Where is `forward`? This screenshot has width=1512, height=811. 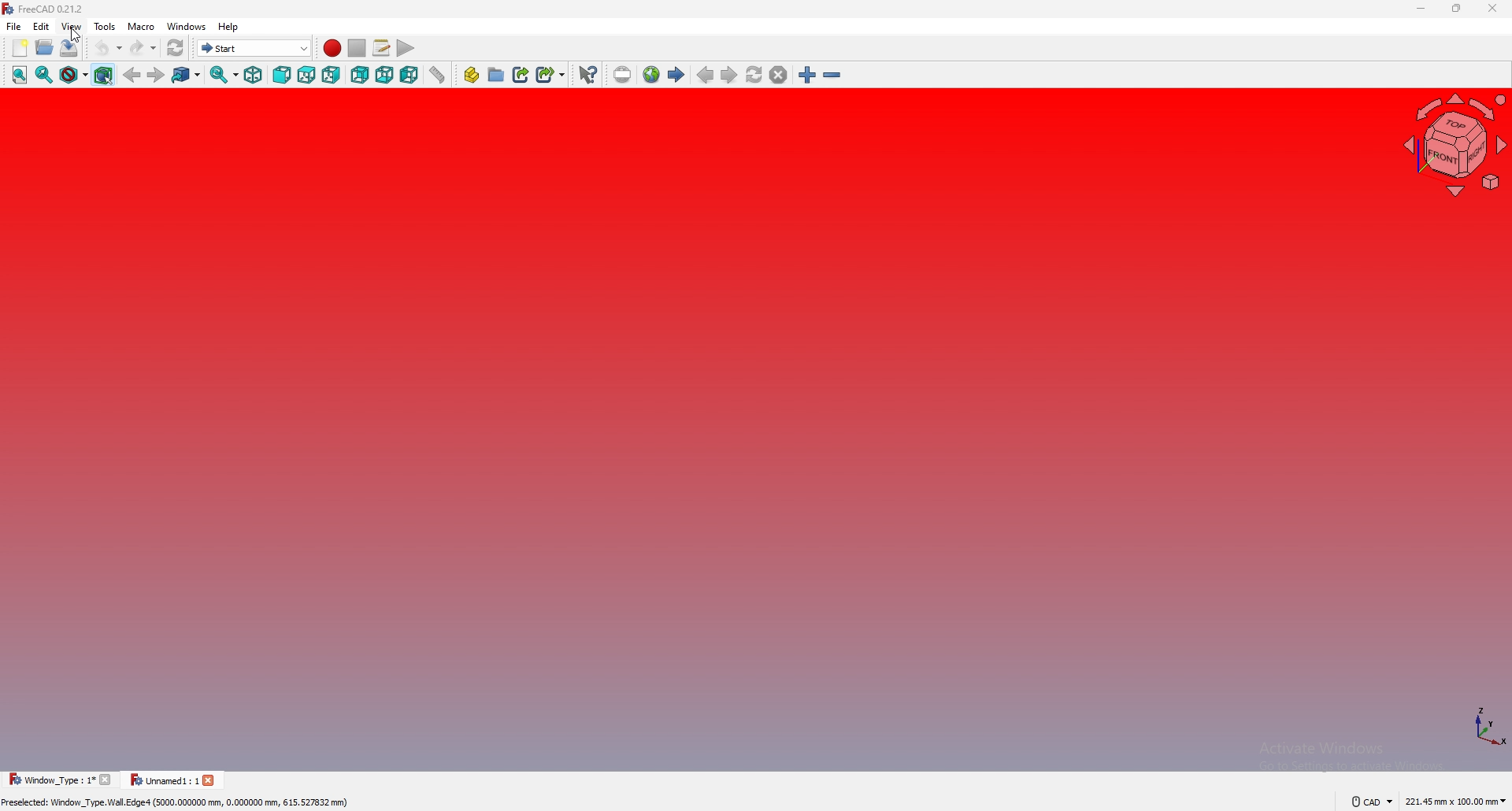 forward is located at coordinates (156, 75).